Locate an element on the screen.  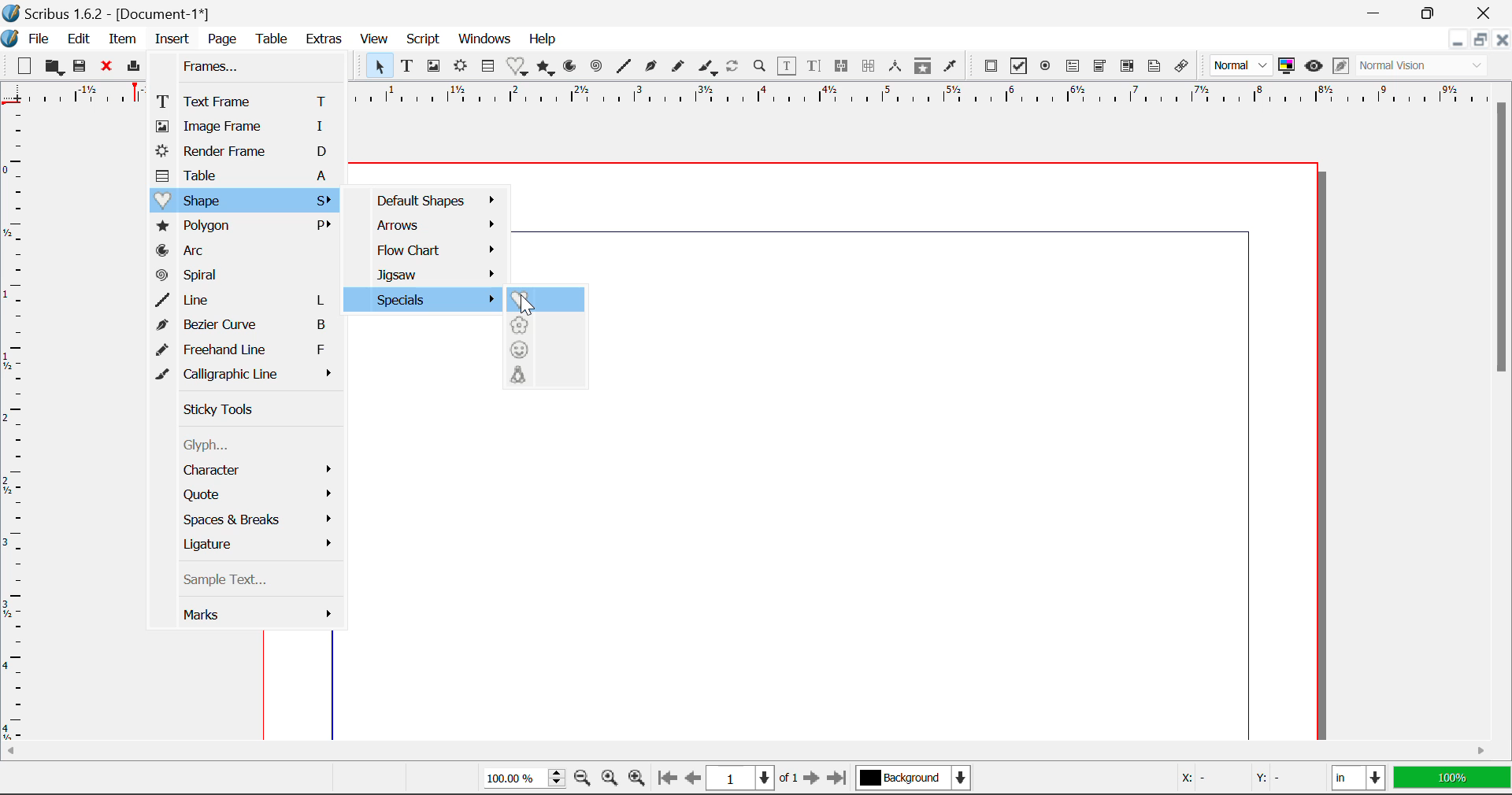
File is located at coordinates (39, 39).